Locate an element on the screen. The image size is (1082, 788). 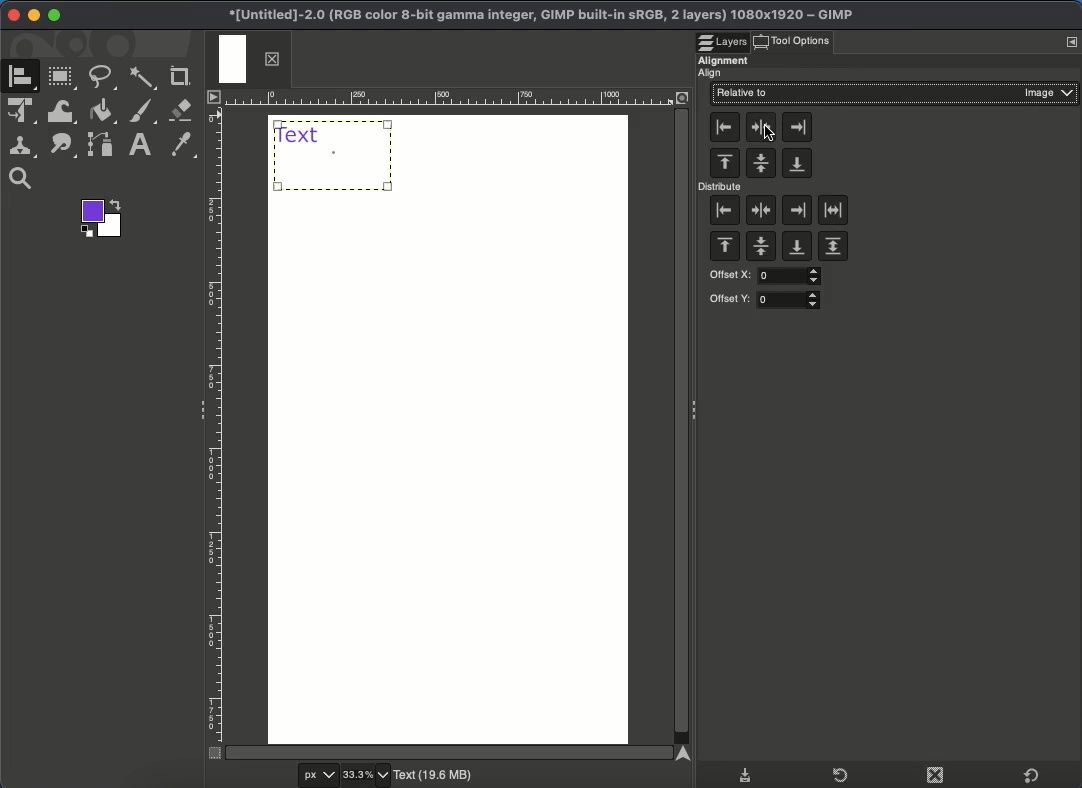
Path is located at coordinates (64, 146).